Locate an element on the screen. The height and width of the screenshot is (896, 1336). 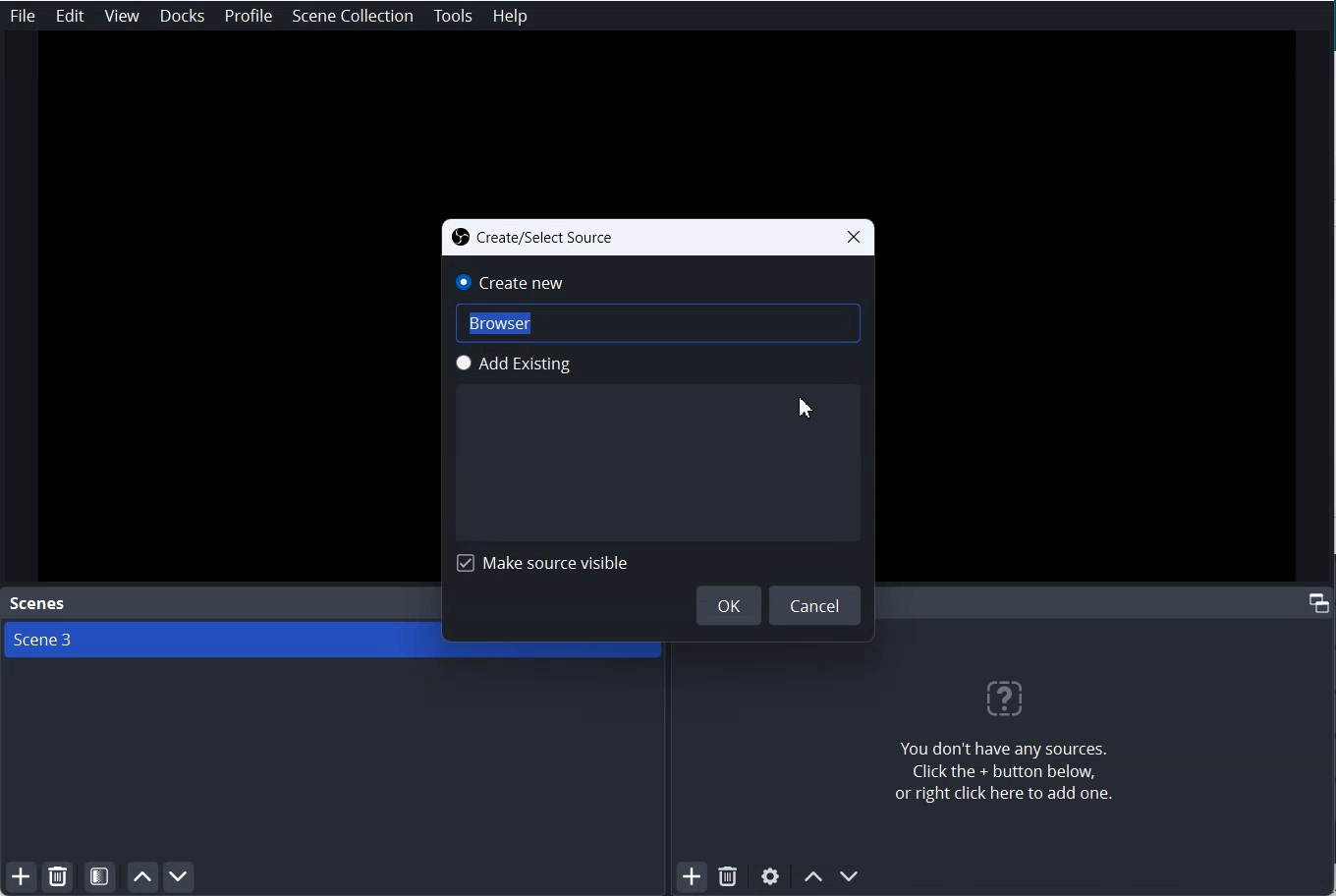
Cursor is located at coordinates (808, 407).